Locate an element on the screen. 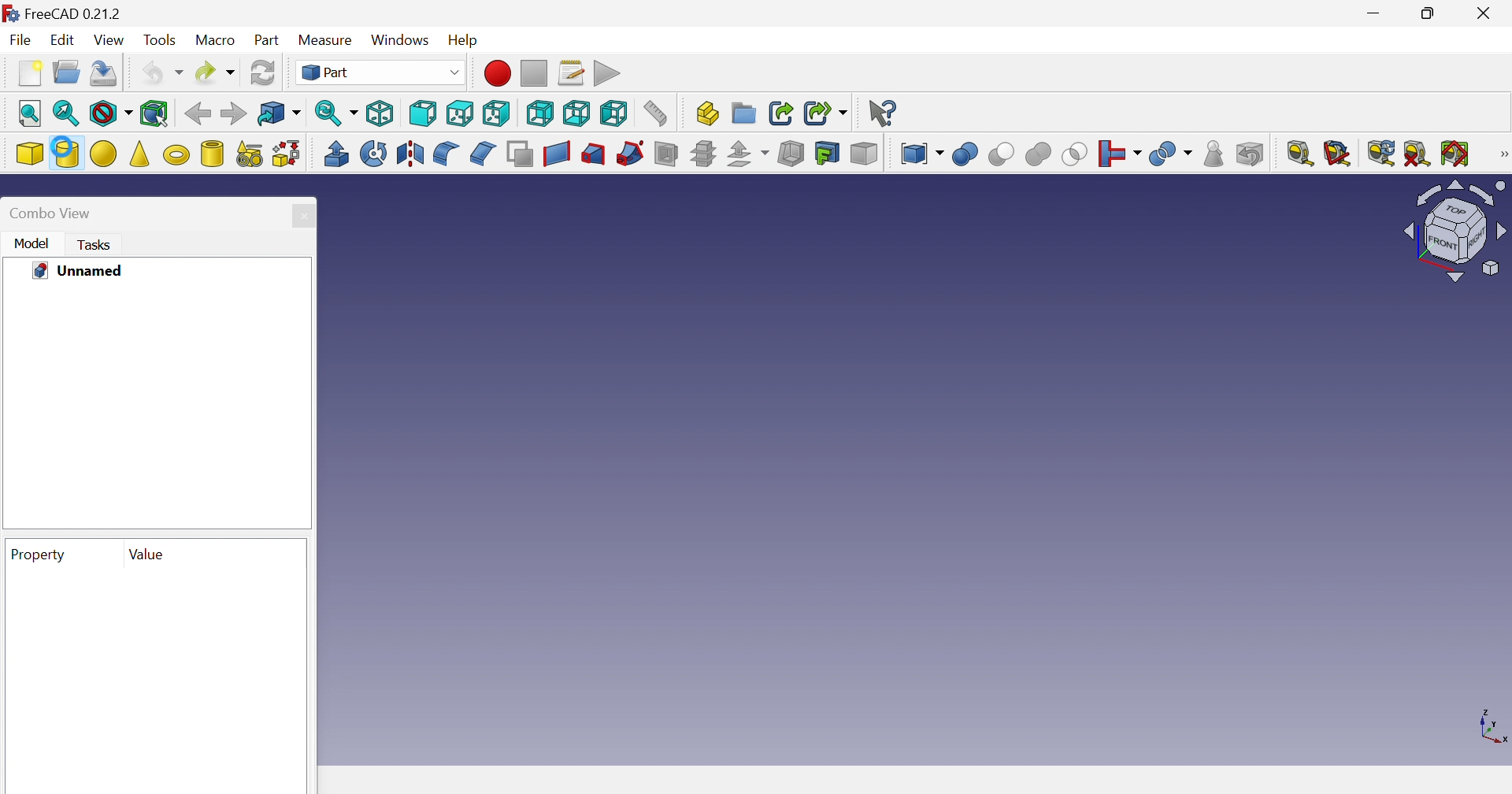 The height and width of the screenshot is (794, 1512). Thickness is located at coordinates (791, 153).